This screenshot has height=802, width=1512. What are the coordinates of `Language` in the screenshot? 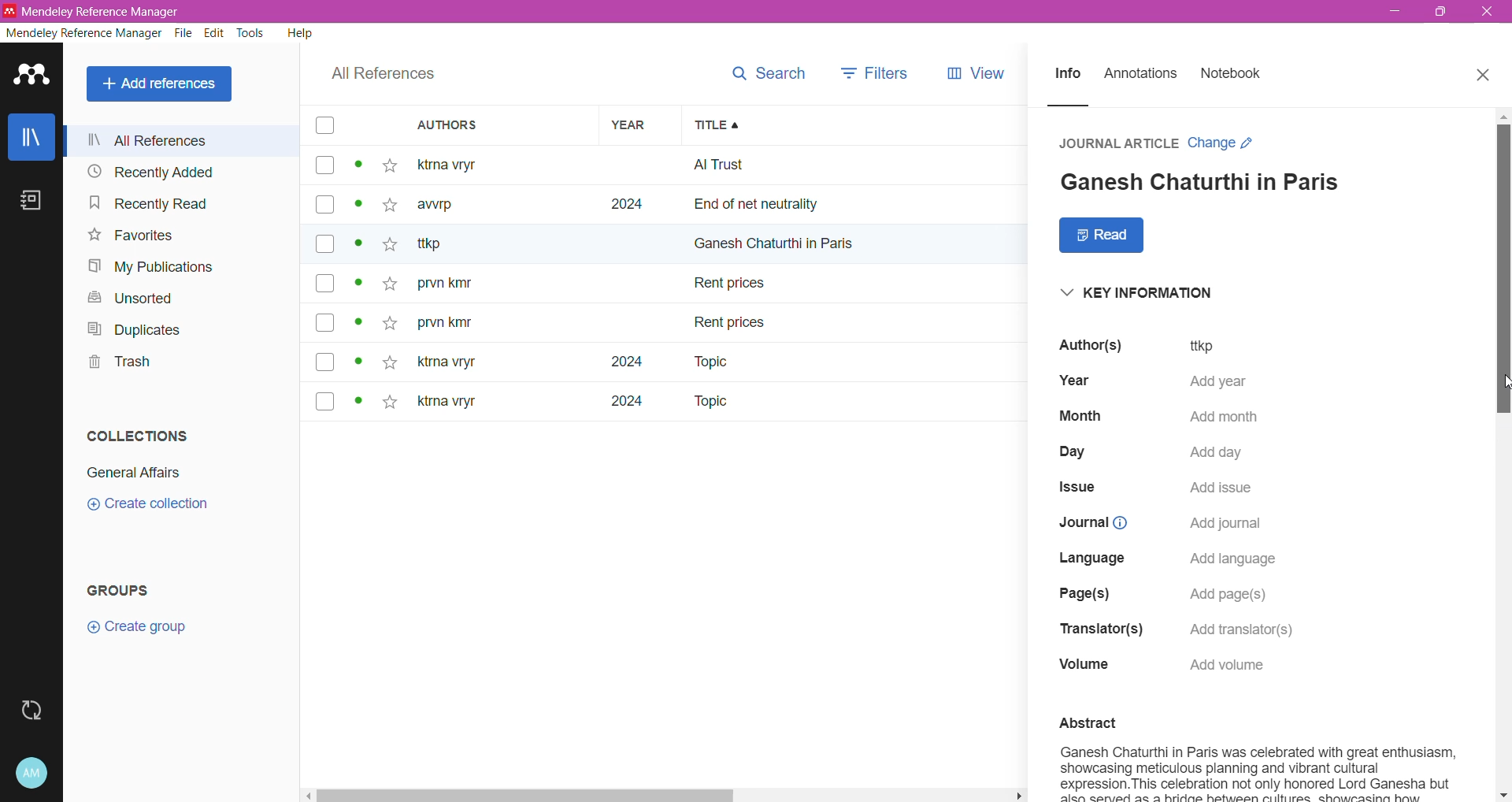 It's located at (1087, 561).